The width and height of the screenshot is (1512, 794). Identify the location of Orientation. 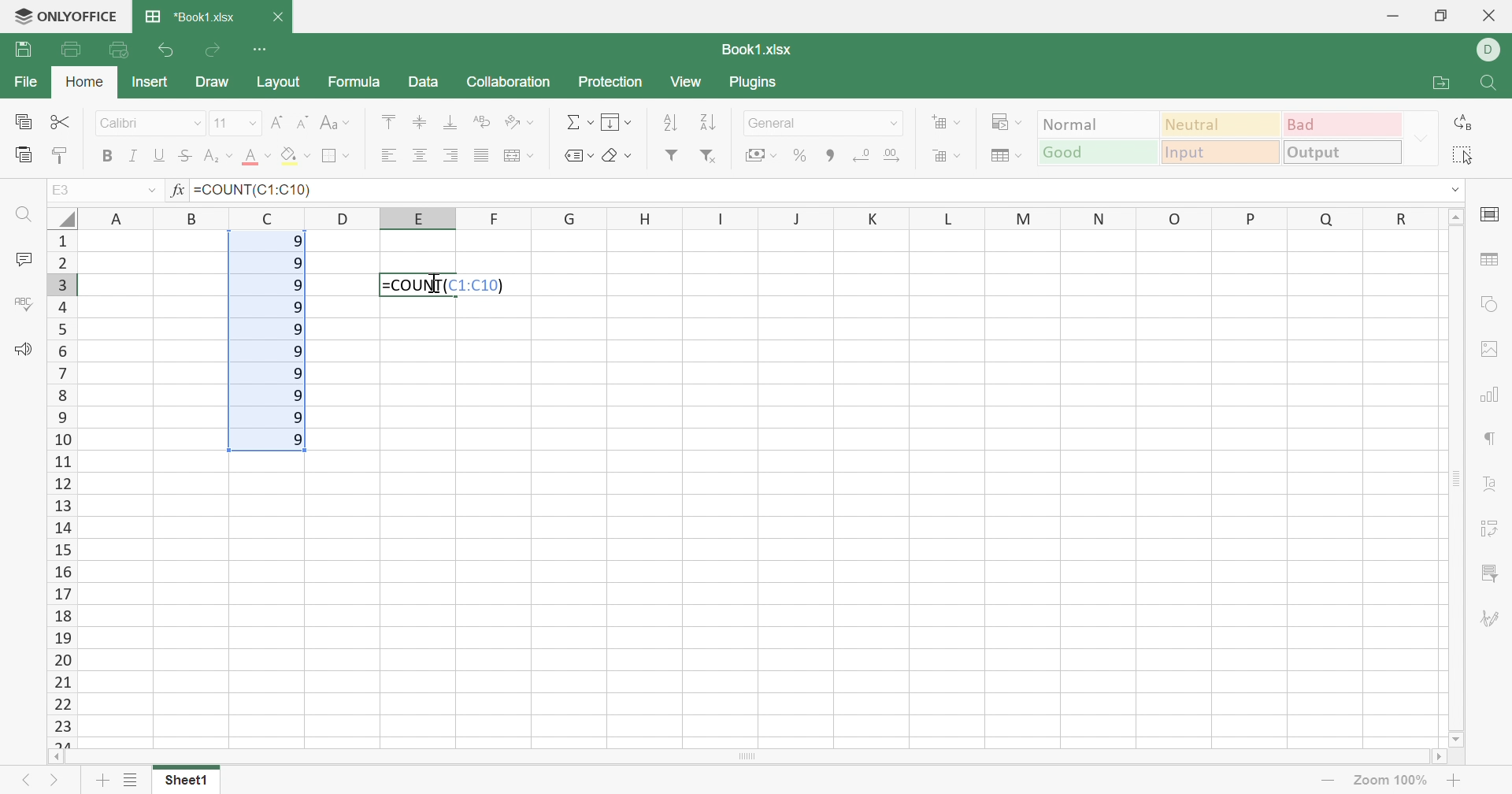
(518, 120).